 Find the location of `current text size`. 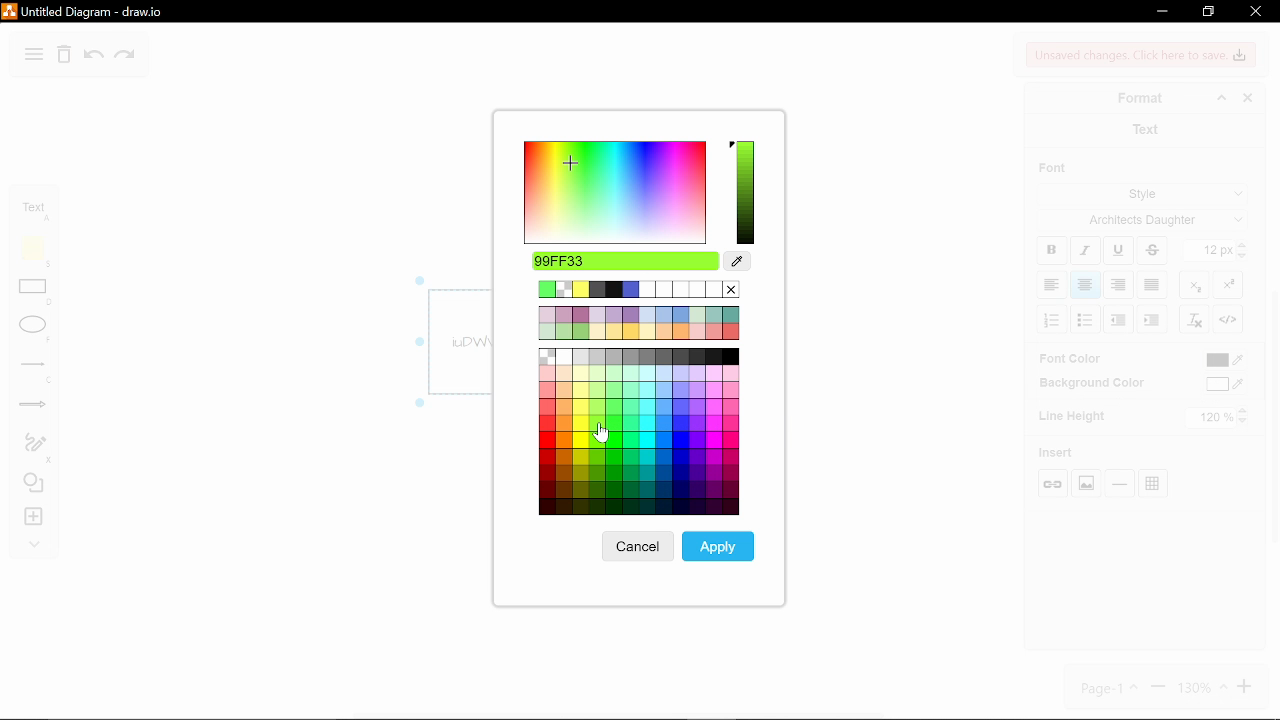

current text size is located at coordinates (1210, 250).